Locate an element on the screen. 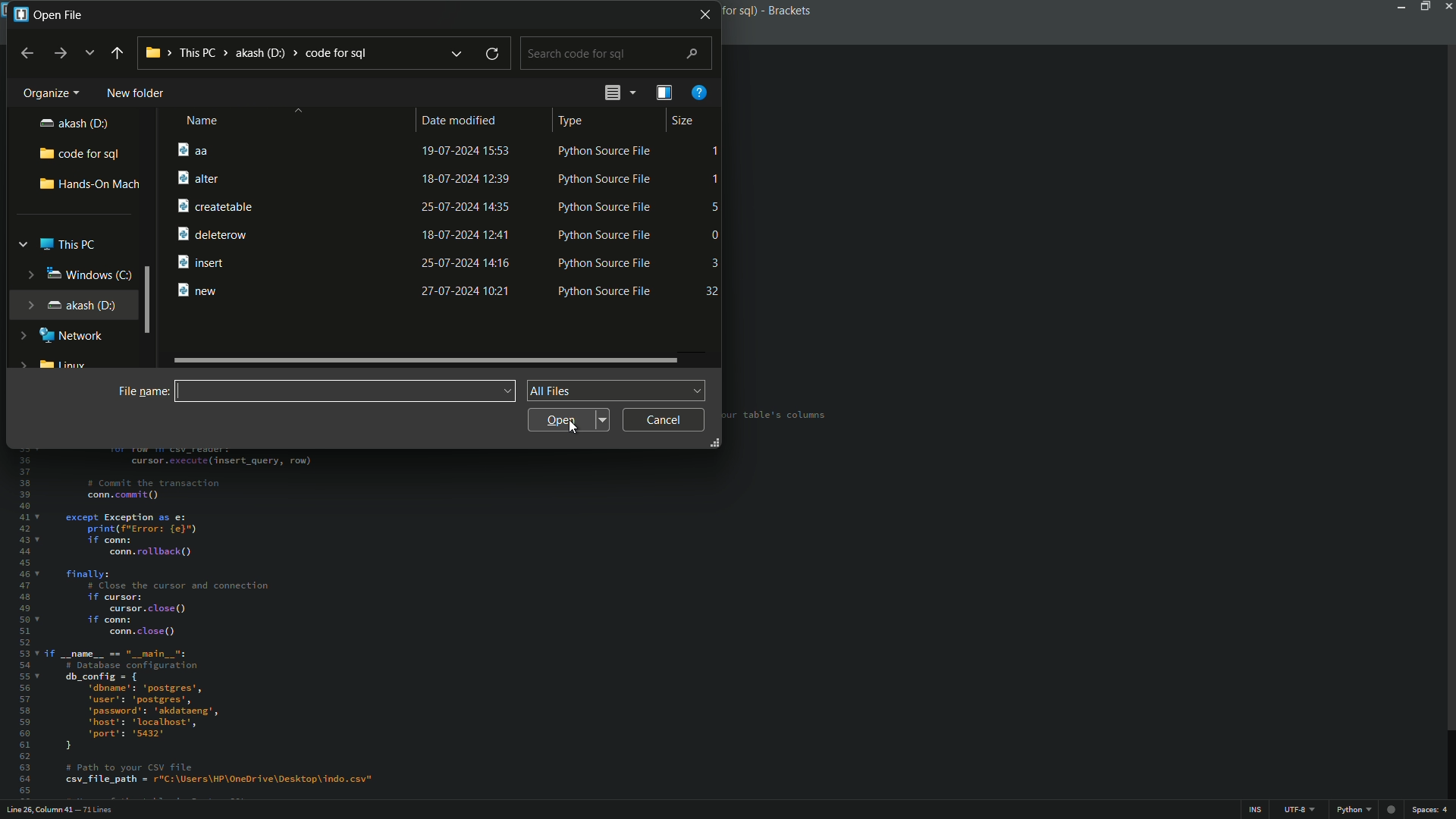 The height and width of the screenshot is (819, 1456). scroll bar is located at coordinates (152, 299).